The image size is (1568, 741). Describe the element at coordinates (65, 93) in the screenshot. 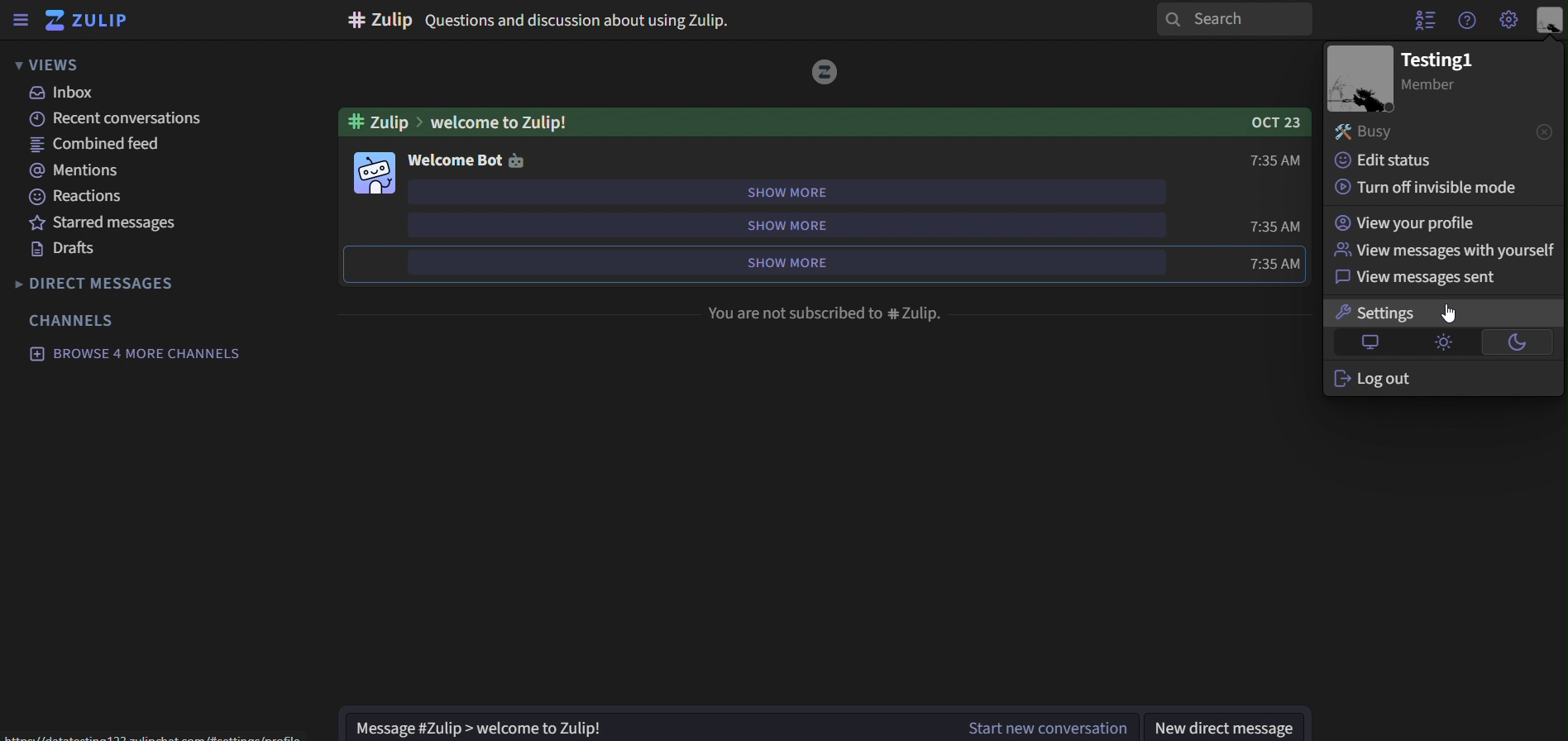

I see `inbox` at that location.